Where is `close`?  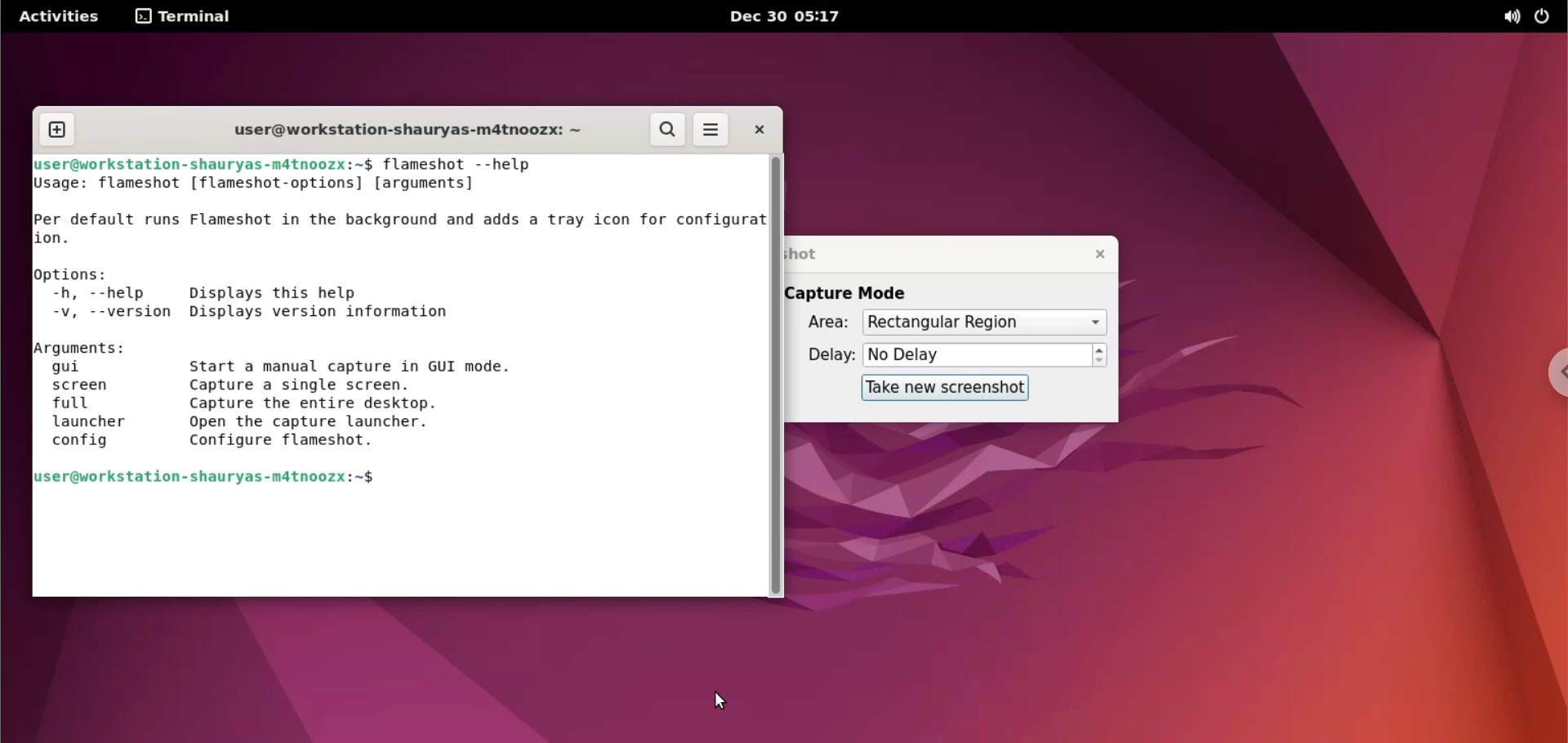 close is located at coordinates (766, 130).